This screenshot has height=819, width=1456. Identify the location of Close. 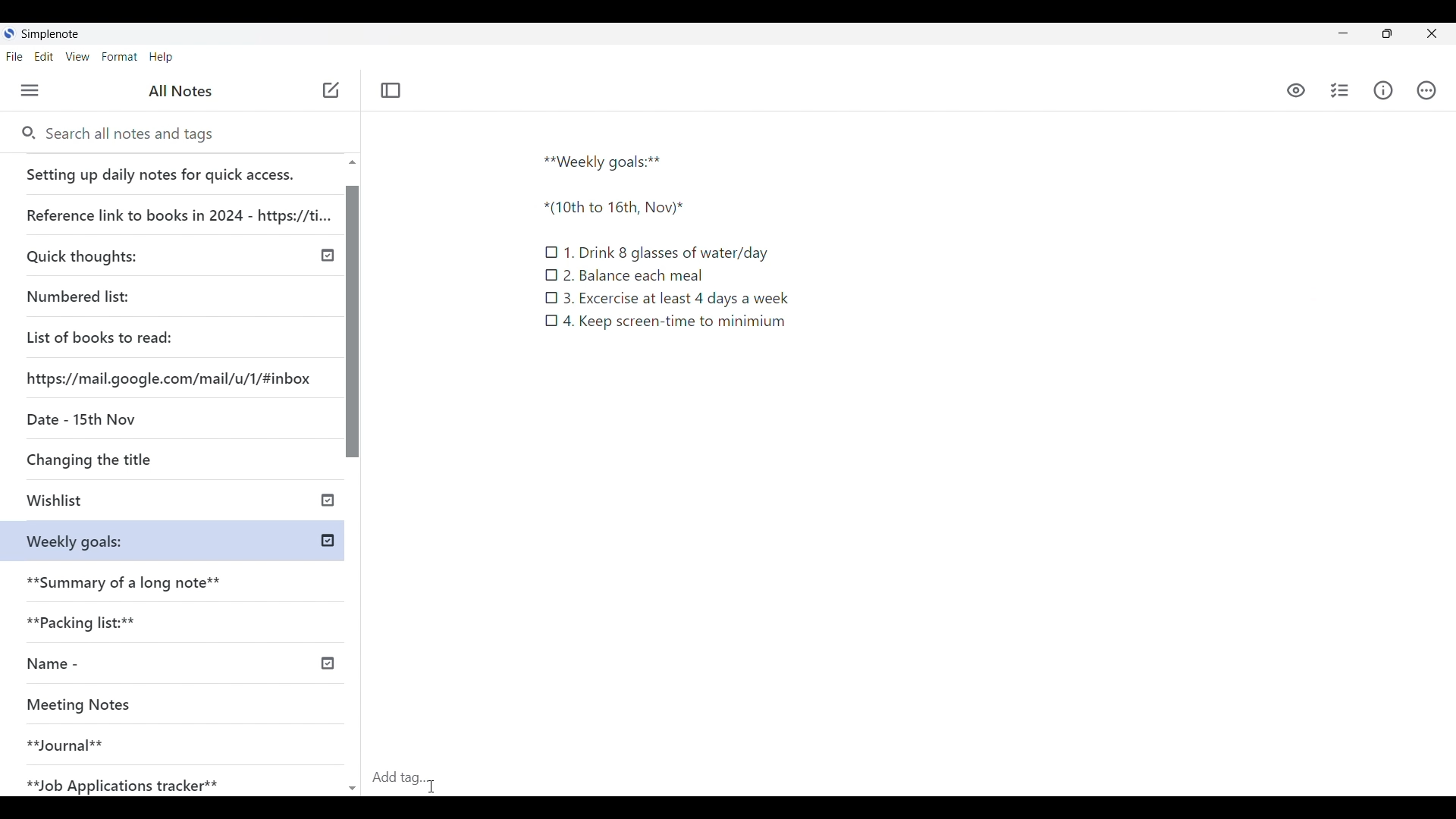
(1432, 33).